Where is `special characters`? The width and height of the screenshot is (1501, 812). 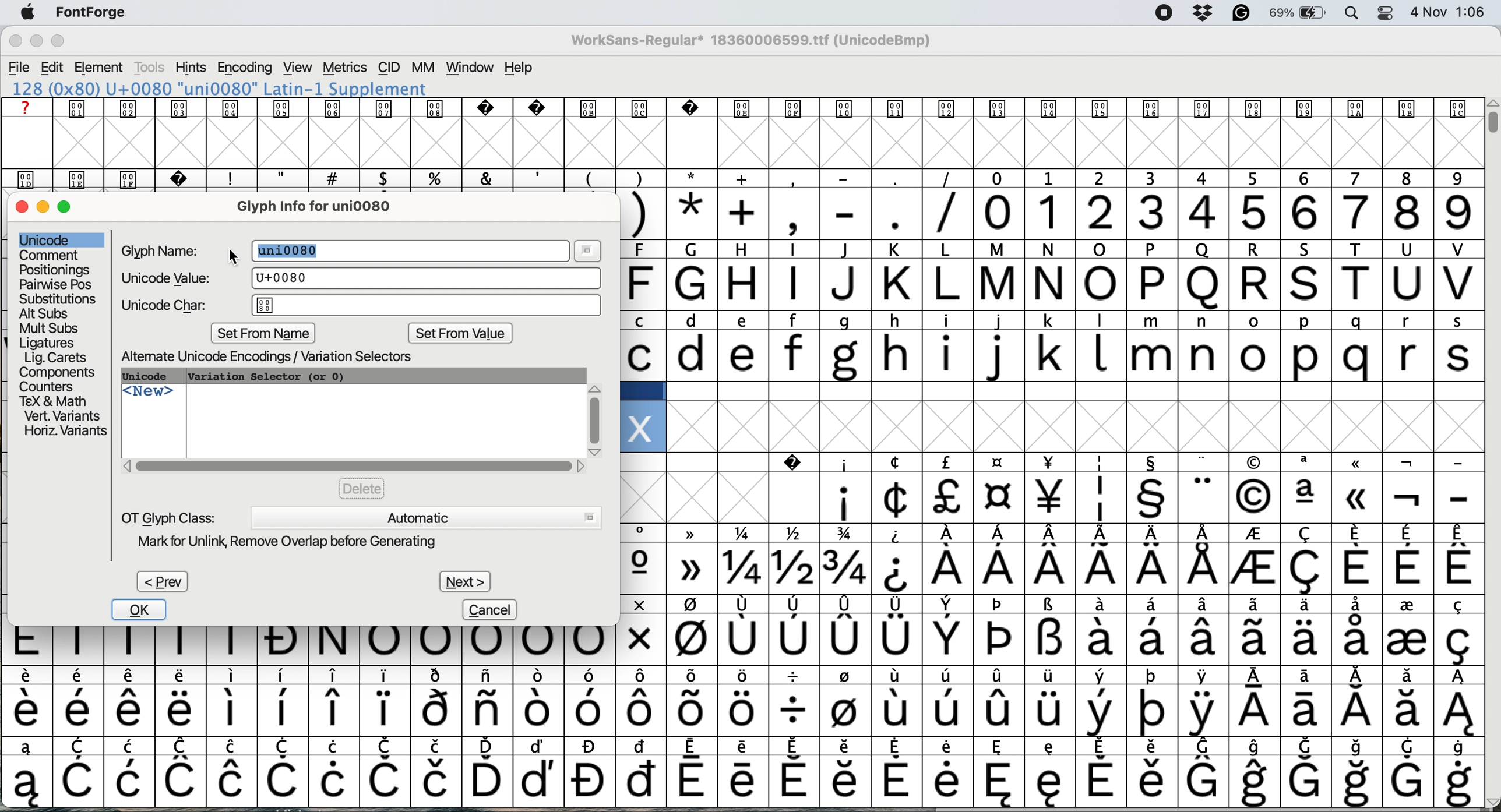
special characters is located at coordinates (737, 710).